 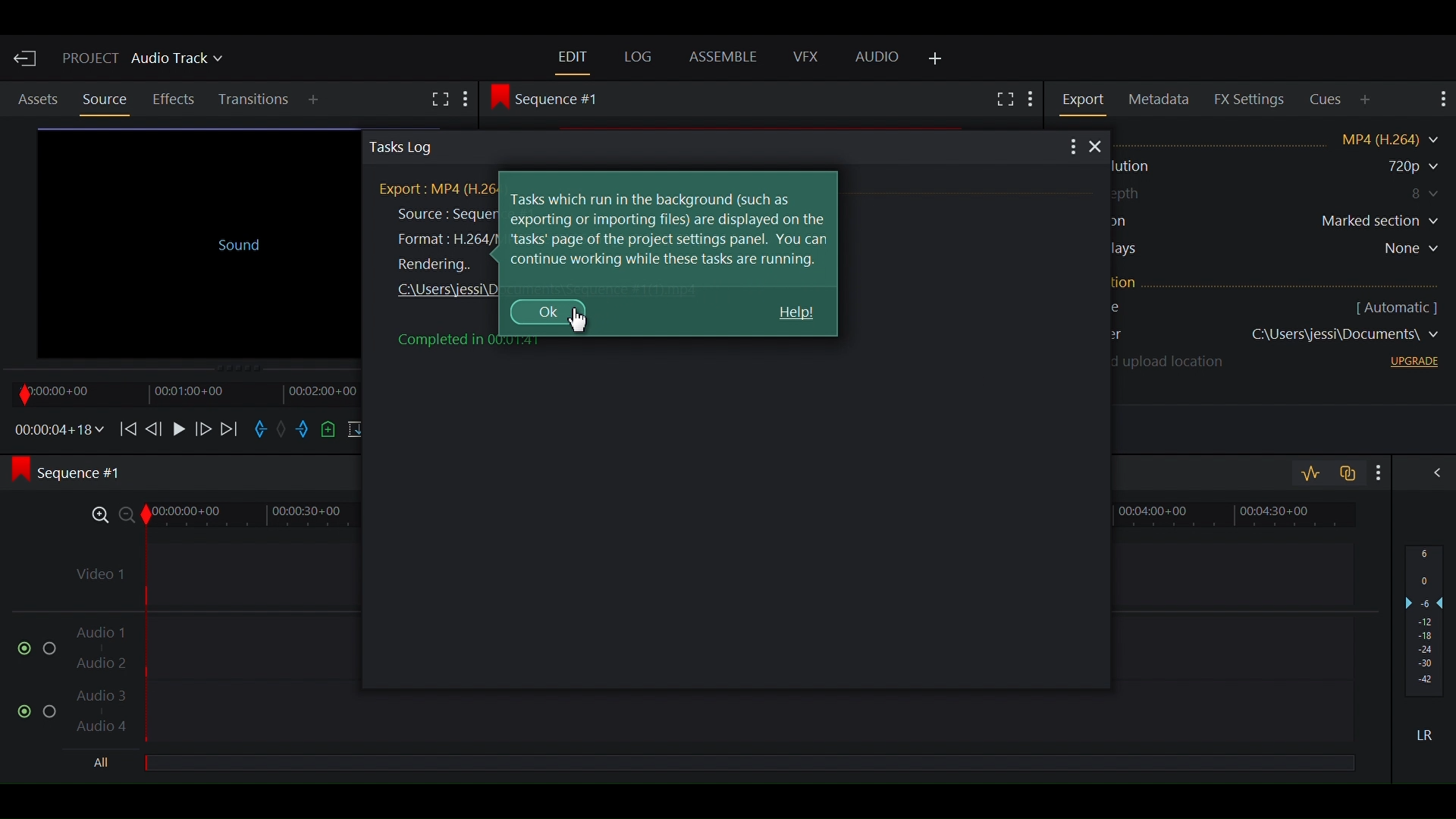 I want to click on Video Track, so click(x=711, y=569).